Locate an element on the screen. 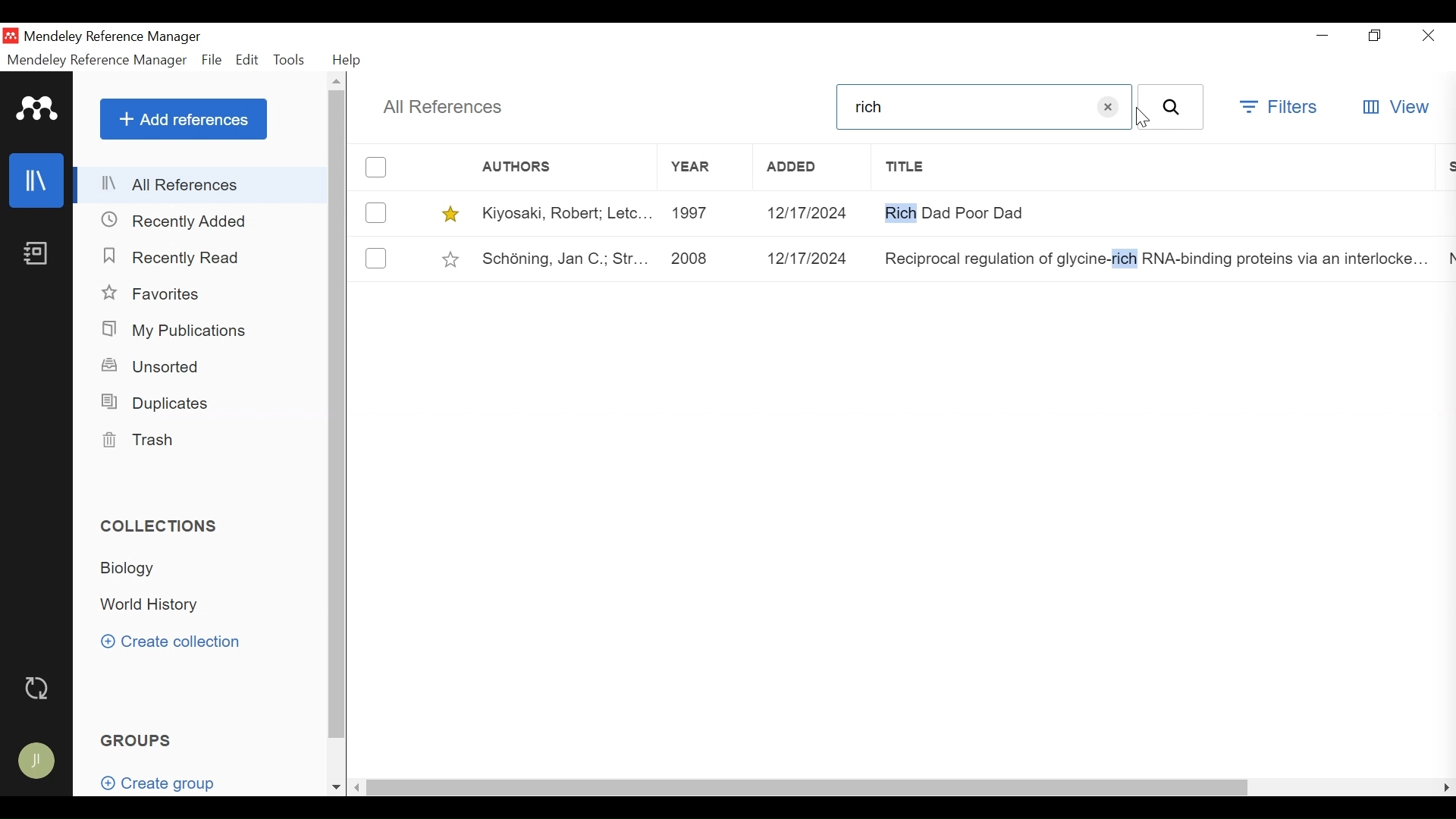 The height and width of the screenshot is (819, 1456). 2008 is located at coordinates (700, 256).